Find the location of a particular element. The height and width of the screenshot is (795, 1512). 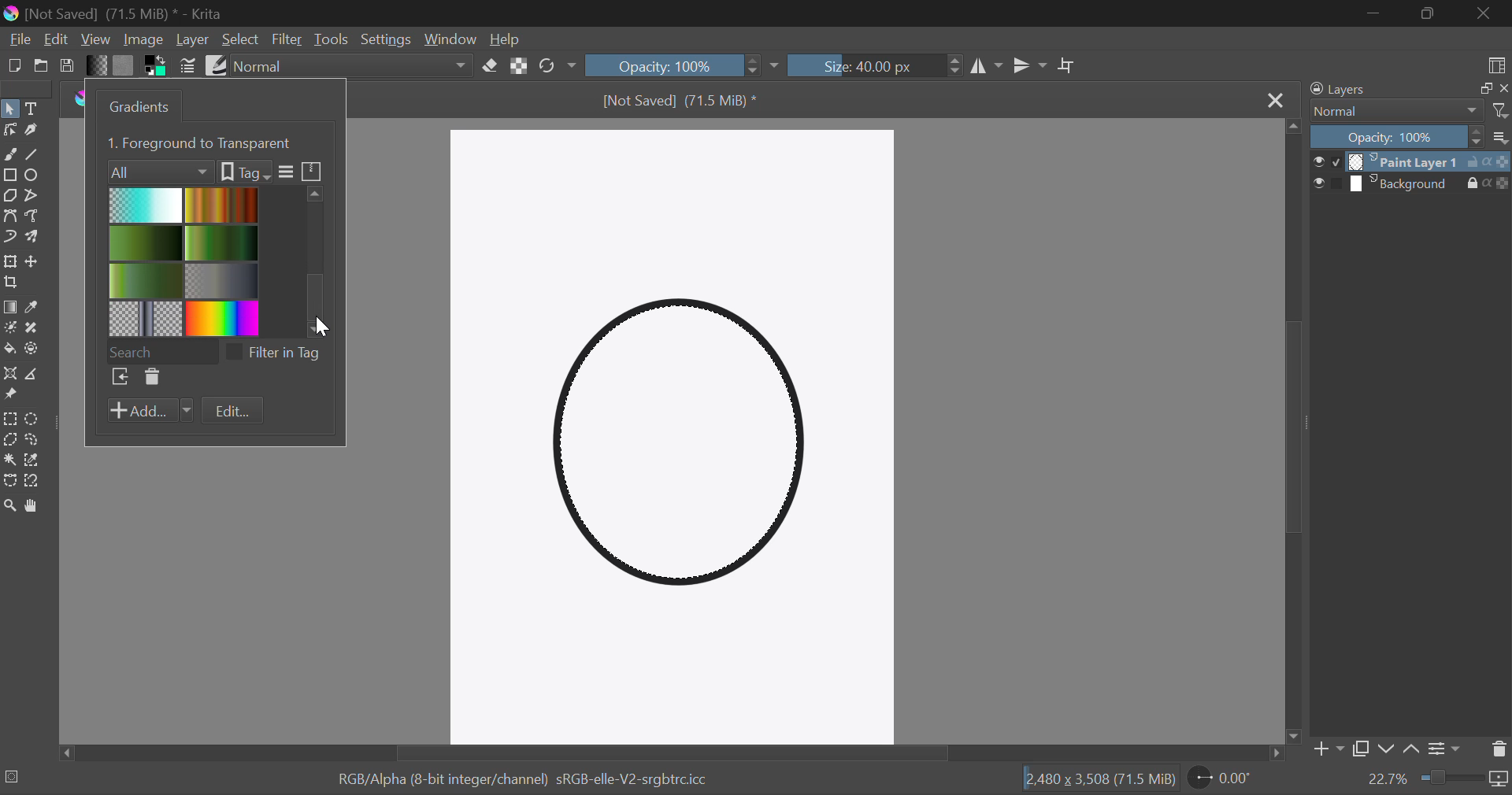

Opacity is located at coordinates (674, 65).